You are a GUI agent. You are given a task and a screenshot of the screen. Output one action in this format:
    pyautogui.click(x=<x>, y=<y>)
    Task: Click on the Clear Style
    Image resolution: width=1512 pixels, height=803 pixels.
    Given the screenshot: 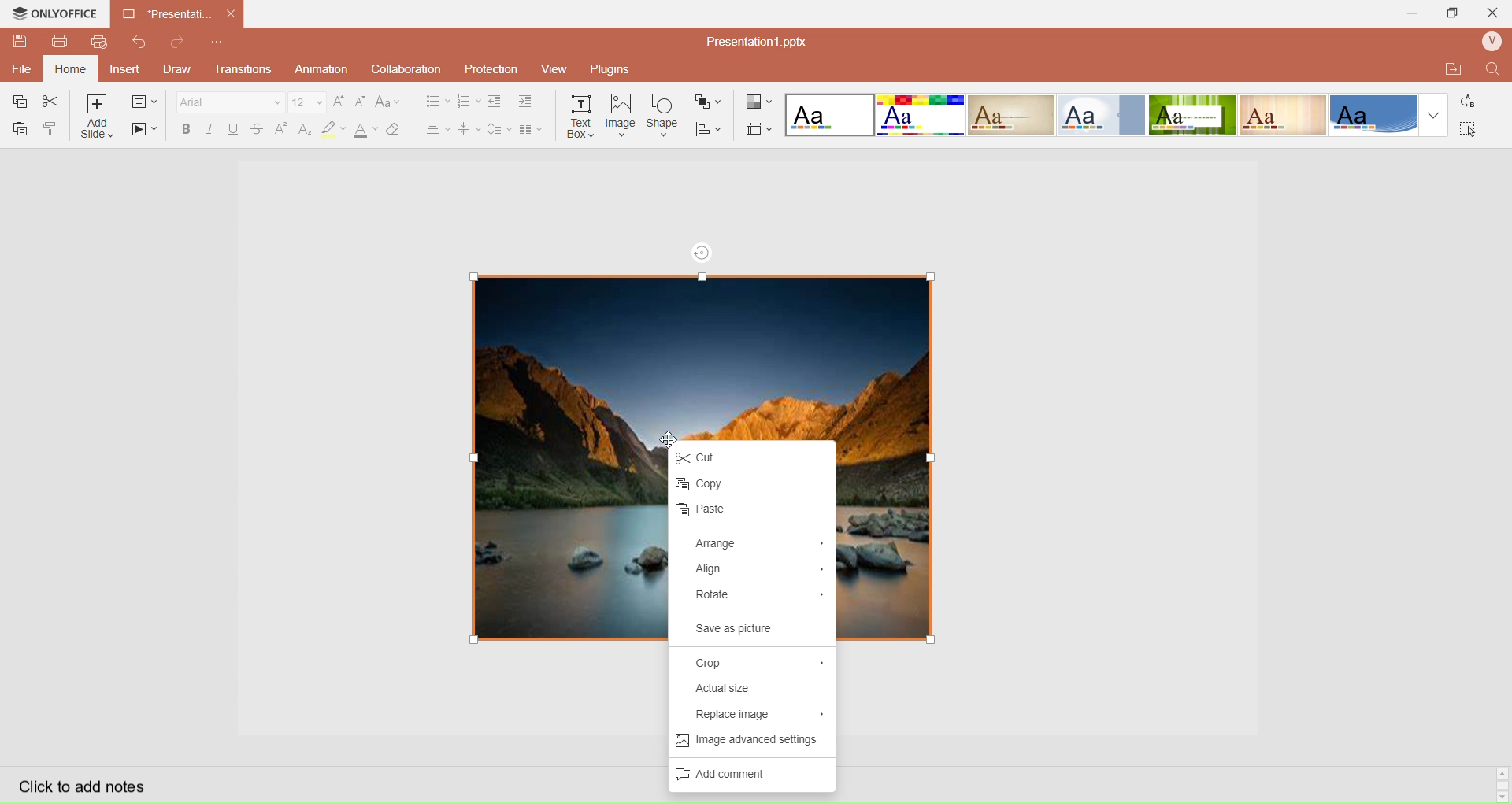 What is the action you would take?
    pyautogui.click(x=396, y=129)
    